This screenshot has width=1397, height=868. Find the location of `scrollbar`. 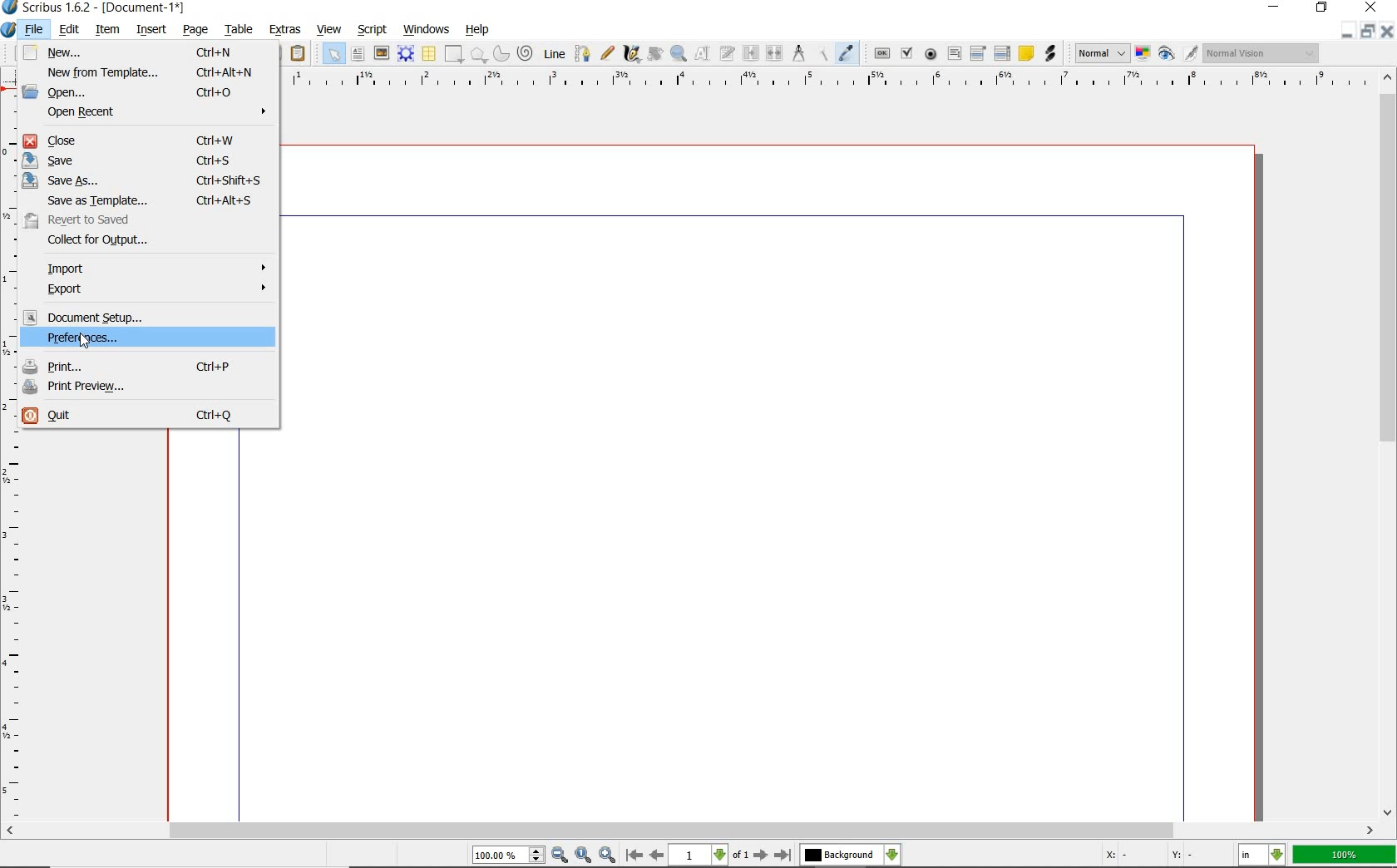

scrollbar is located at coordinates (689, 832).